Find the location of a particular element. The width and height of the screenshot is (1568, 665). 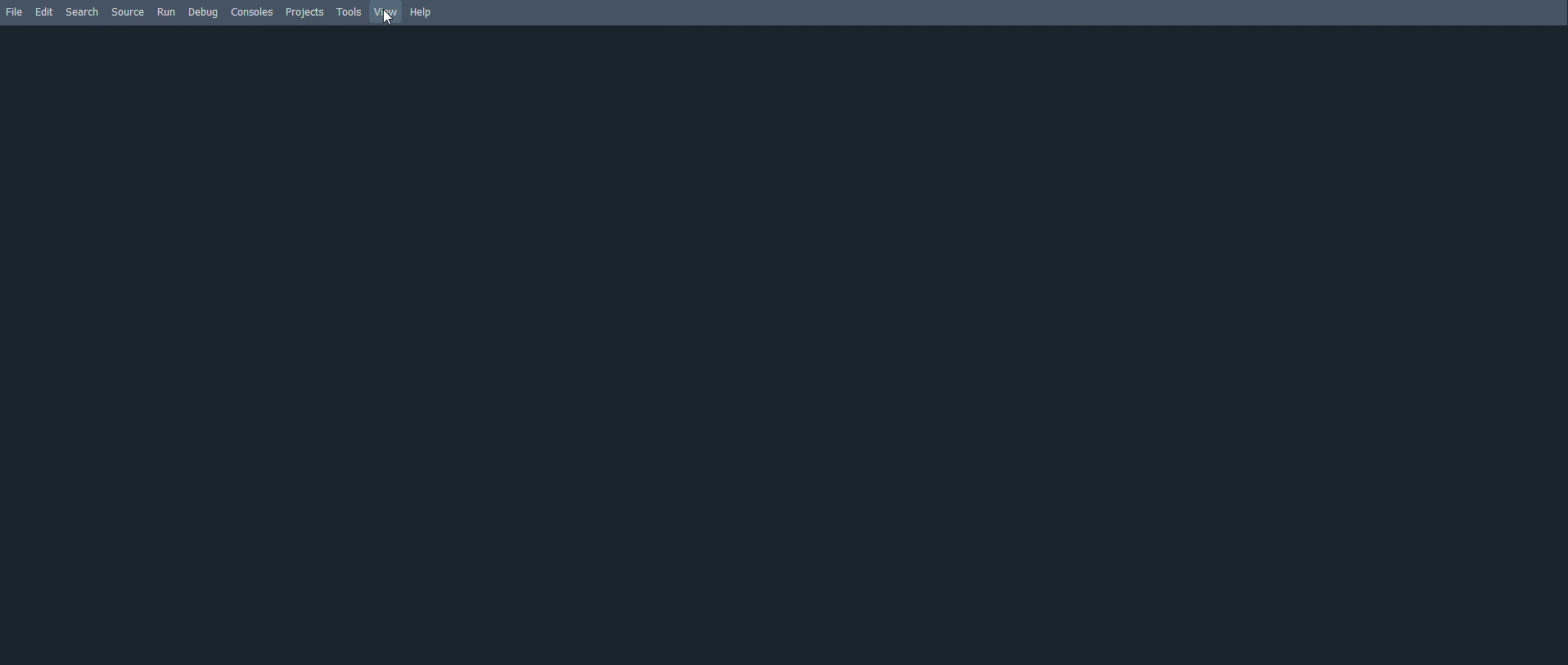

Search is located at coordinates (86, 13).